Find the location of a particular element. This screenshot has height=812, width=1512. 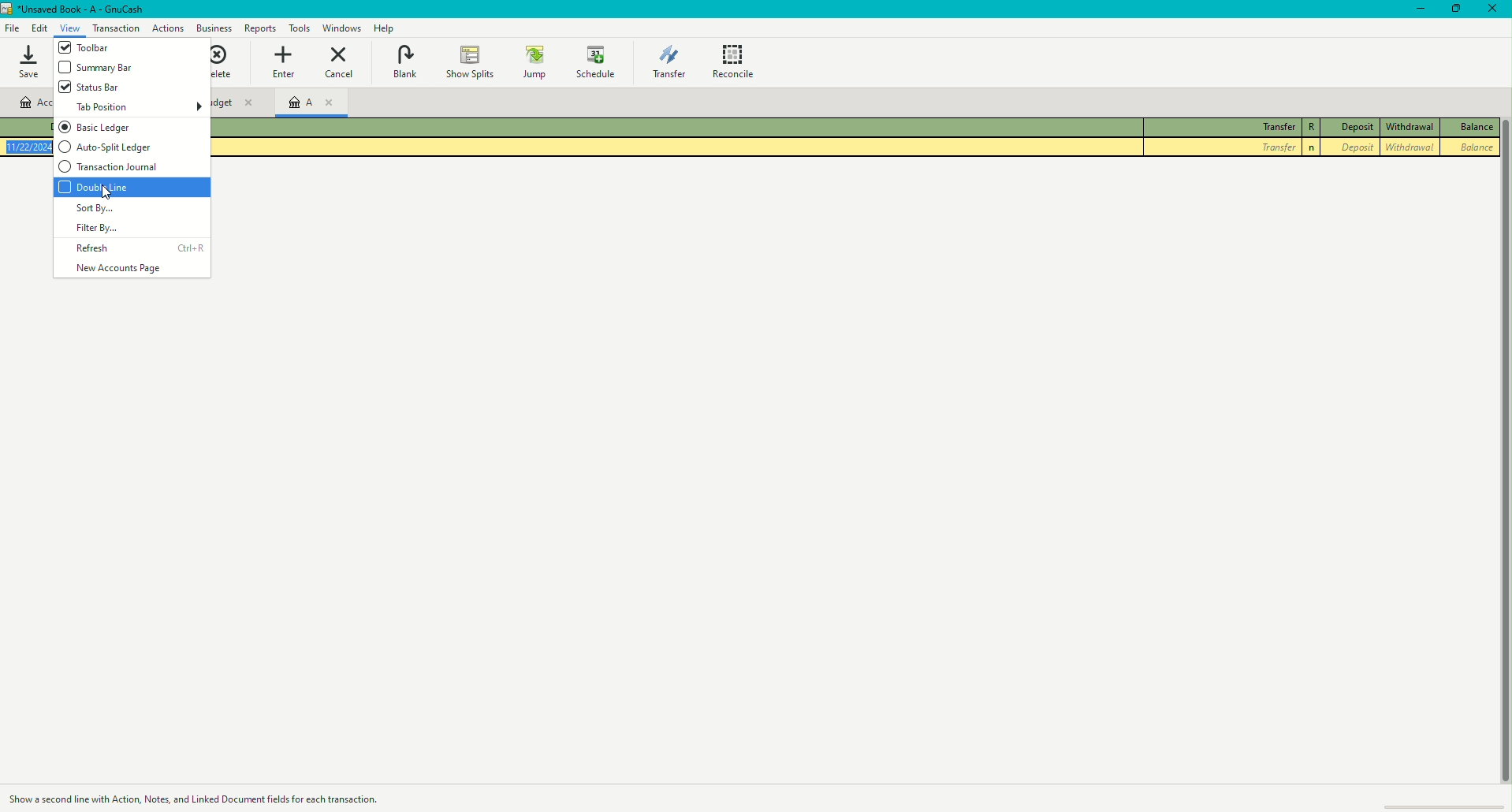

Account name is located at coordinates (29, 102).